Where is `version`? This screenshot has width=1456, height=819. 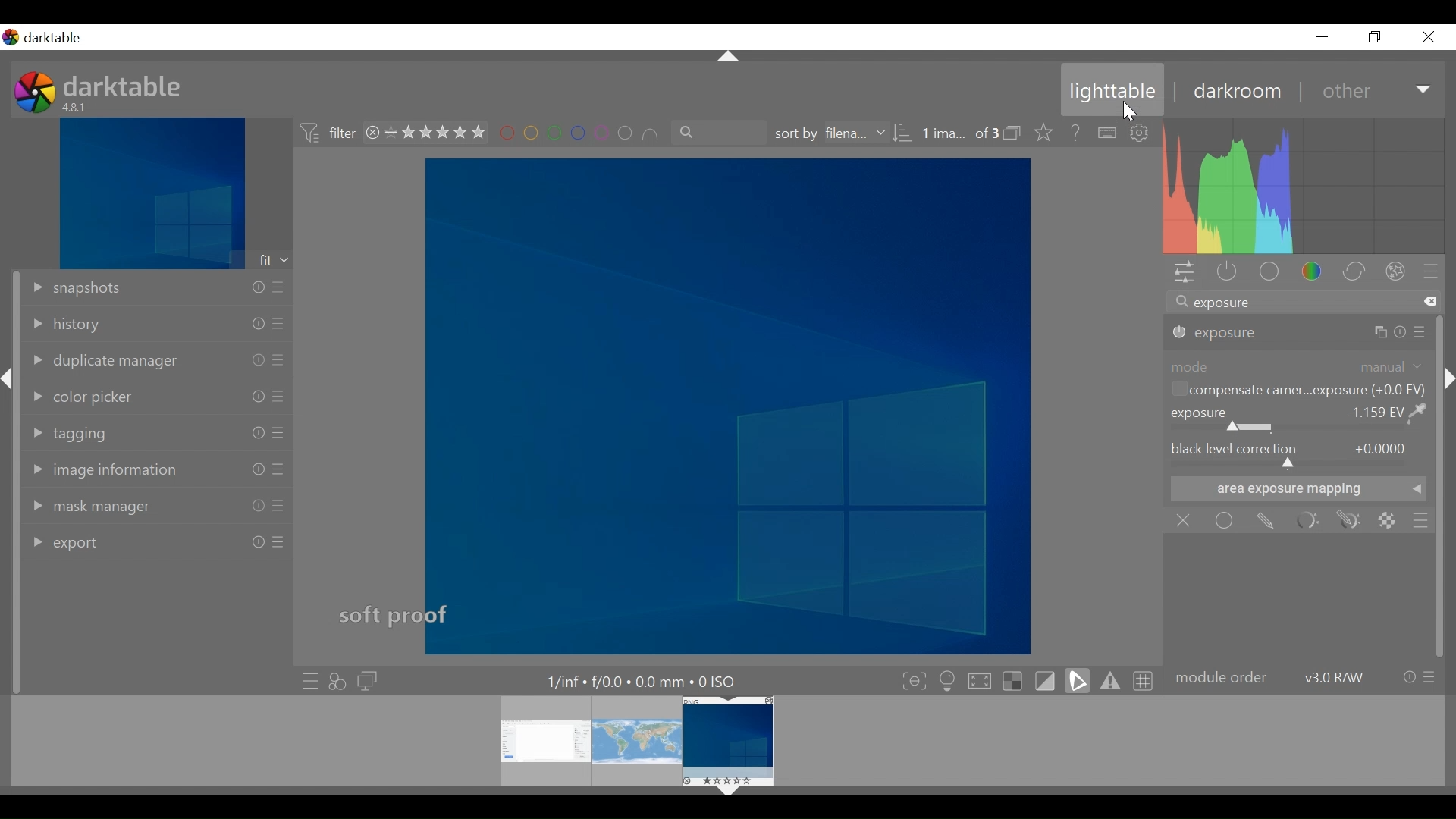 version is located at coordinates (77, 107).